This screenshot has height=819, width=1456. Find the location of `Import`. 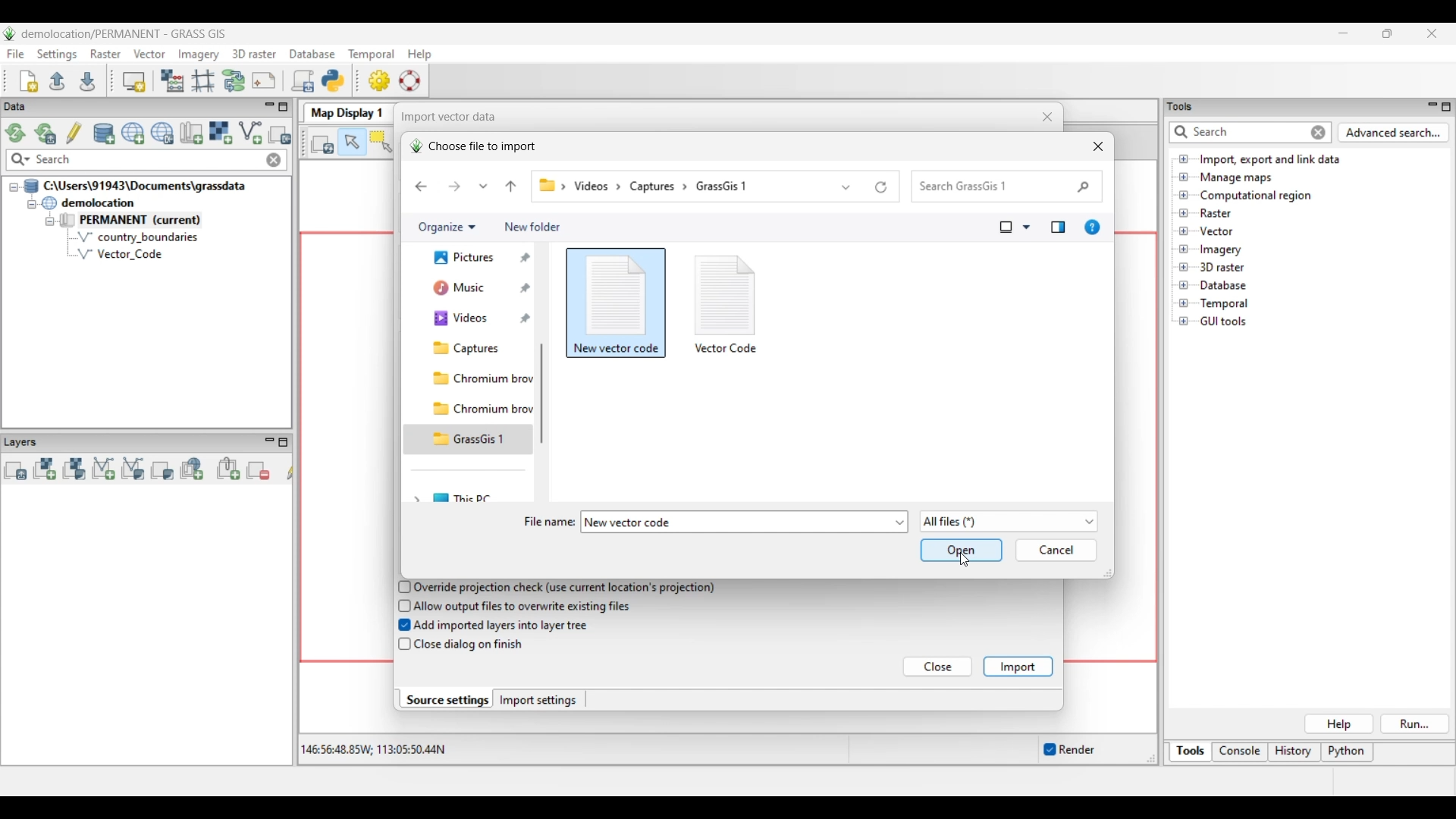

Import is located at coordinates (1018, 667).